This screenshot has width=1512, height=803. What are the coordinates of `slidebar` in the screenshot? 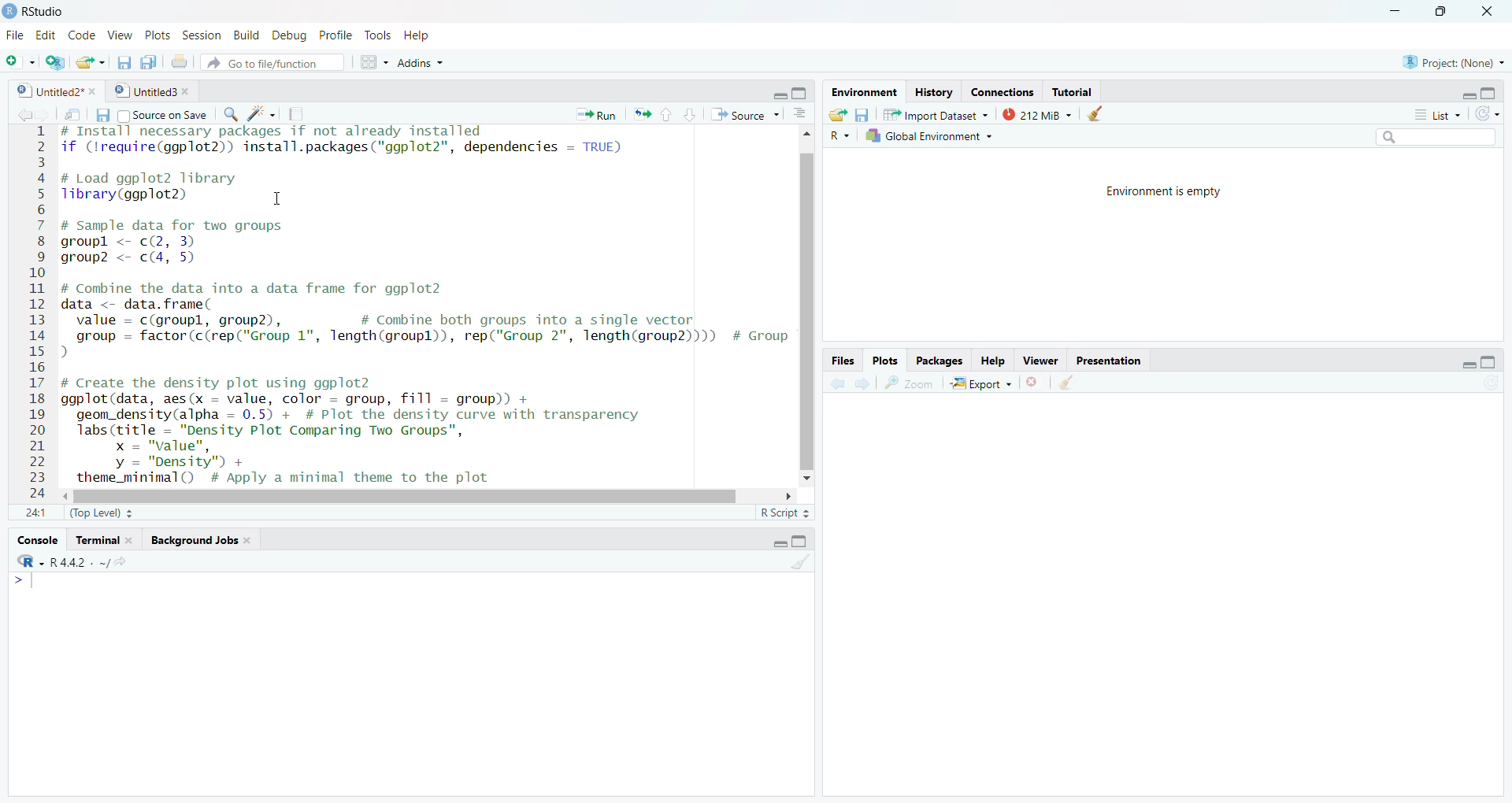 It's located at (810, 324).